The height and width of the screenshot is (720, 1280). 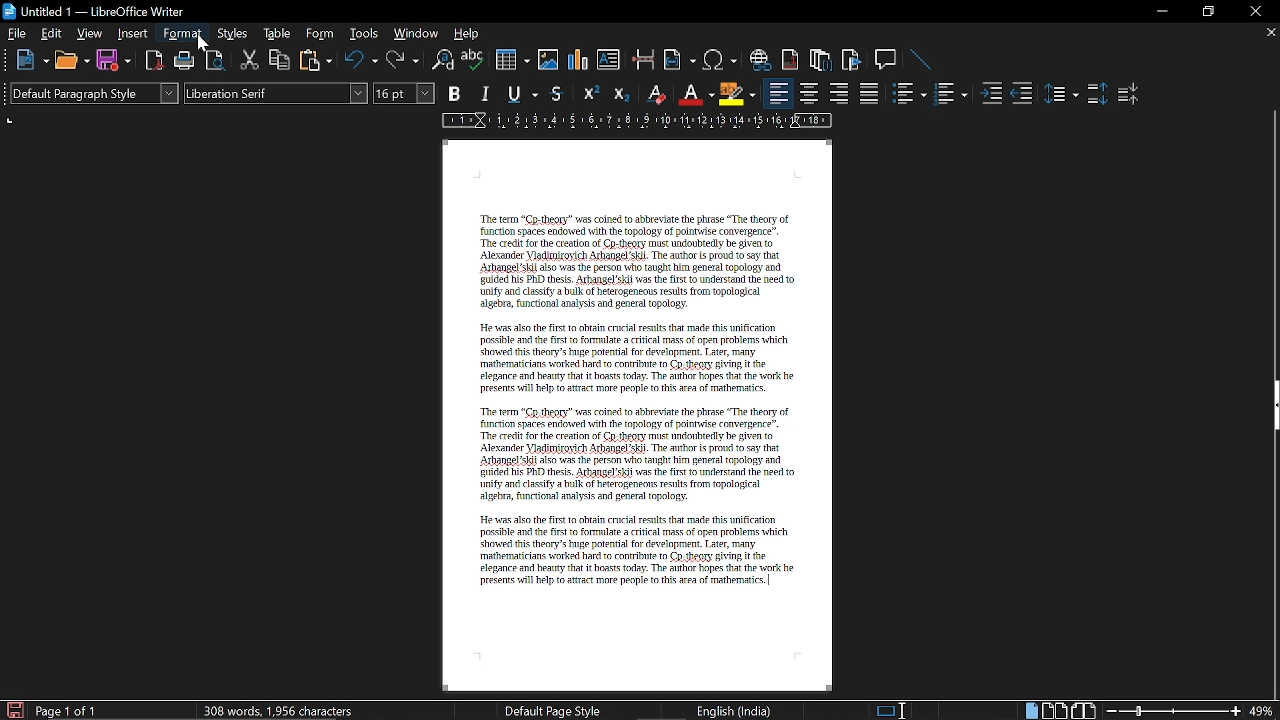 I want to click on Sidebar, so click(x=1271, y=407).